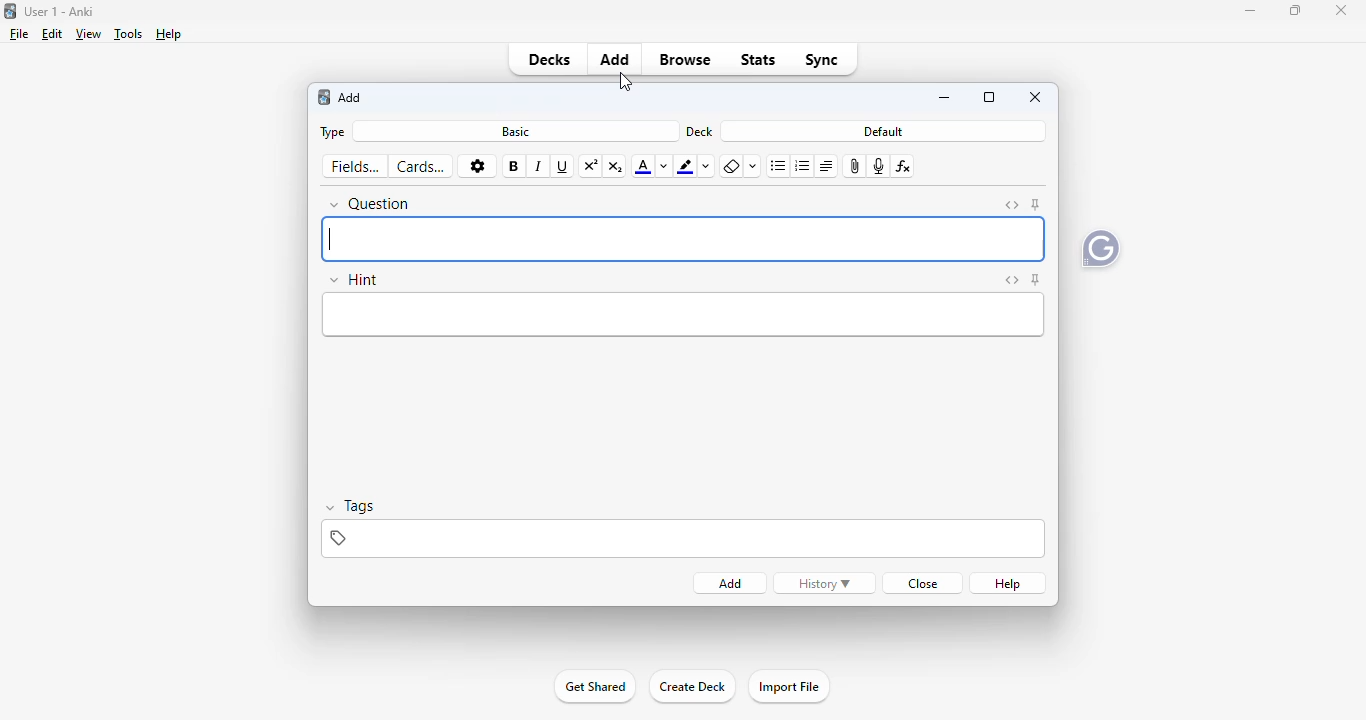 The image size is (1366, 720). What do you see at coordinates (733, 166) in the screenshot?
I see `remove formatting` at bounding box center [733, 166].